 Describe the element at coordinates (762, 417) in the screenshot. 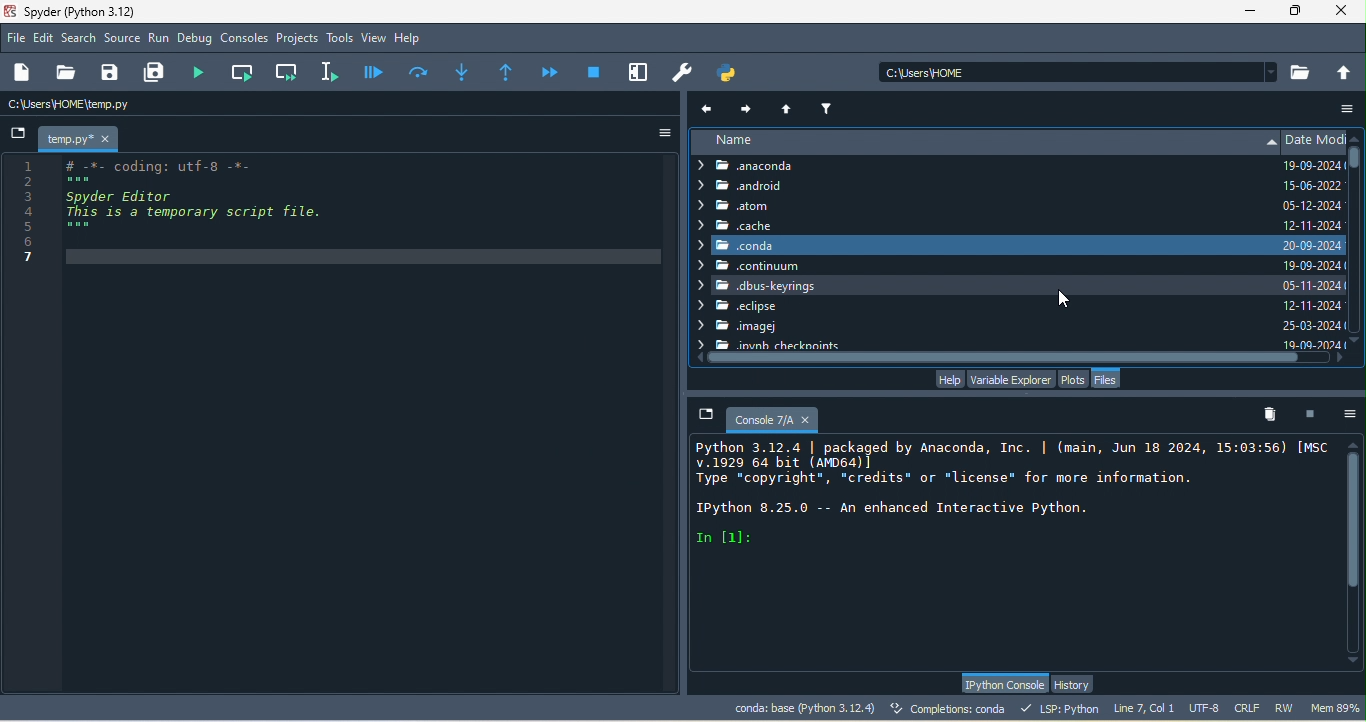

I see `console 7/a` at that location.